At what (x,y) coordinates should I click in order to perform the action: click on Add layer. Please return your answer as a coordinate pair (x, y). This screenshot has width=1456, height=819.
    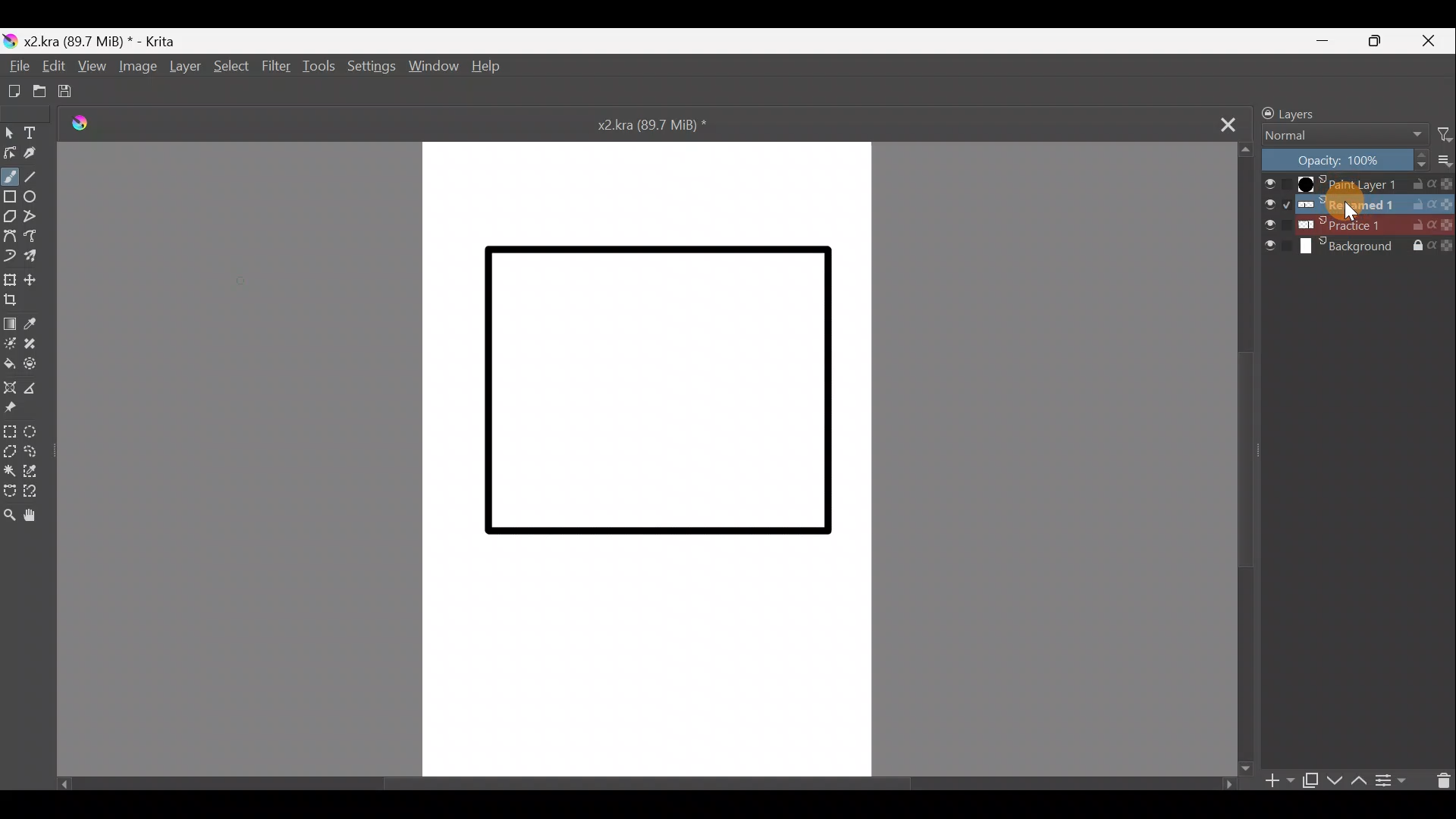
    Looking at the image, I should click on (1279, 782).